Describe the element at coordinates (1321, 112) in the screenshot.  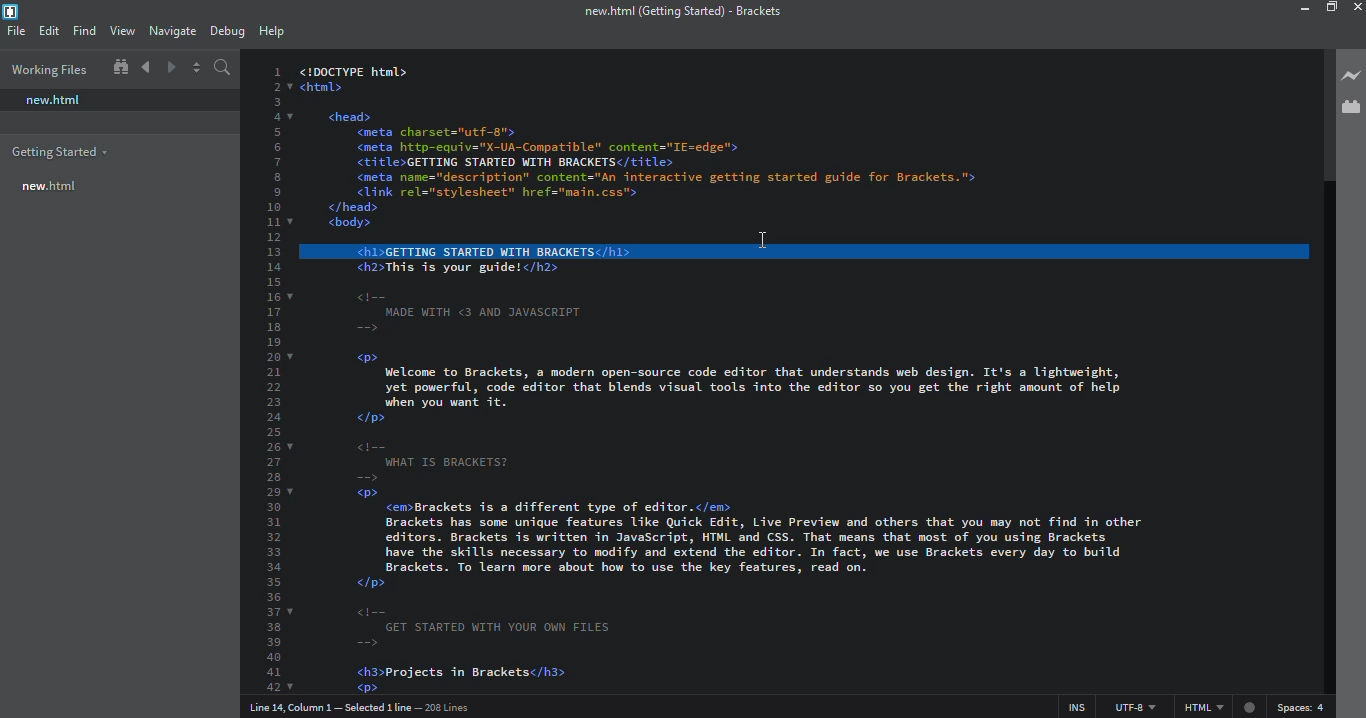
I see `scroll bar` at that location.